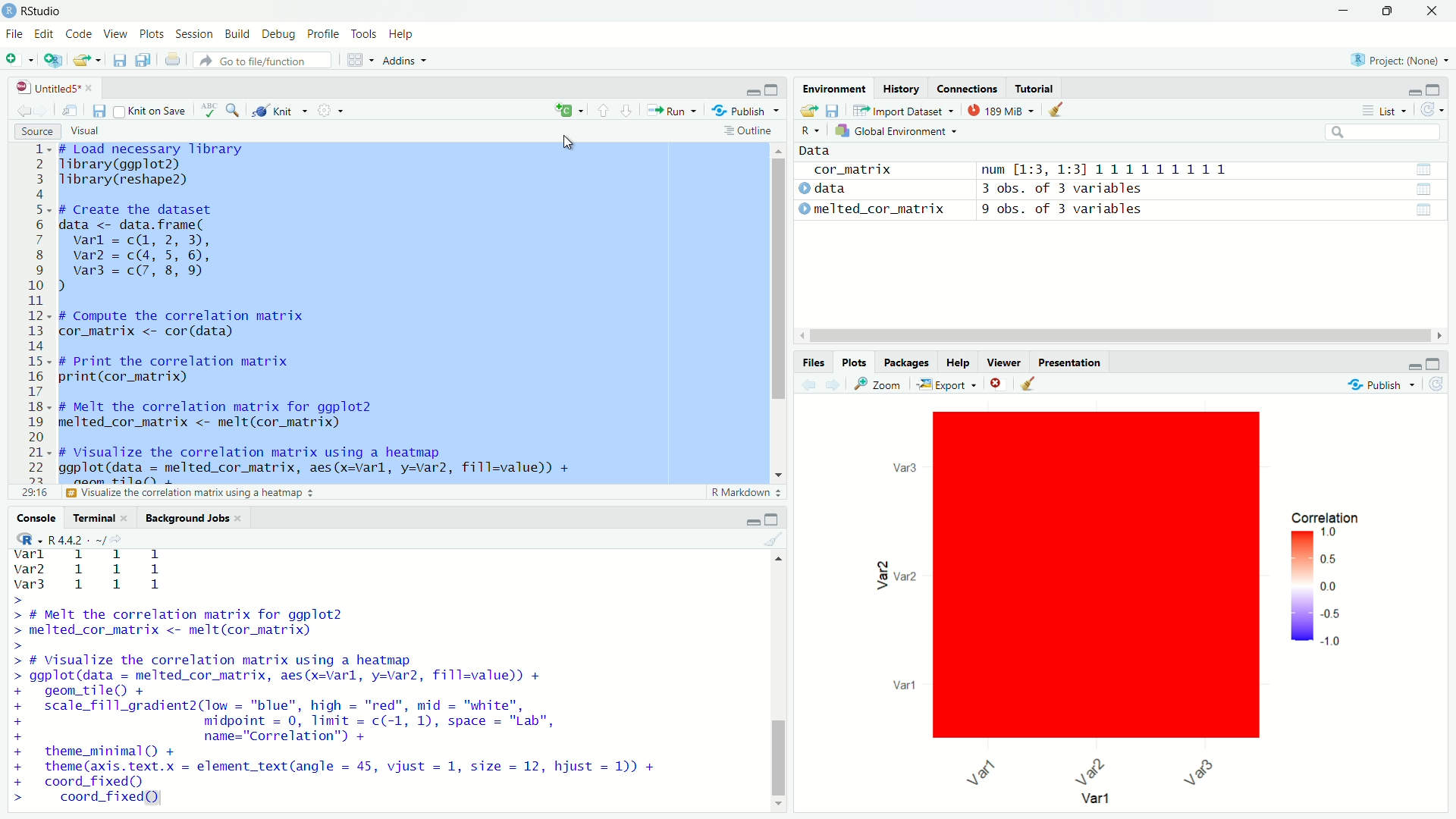 This screenshot has width=1456, height=819. What do you see at coordinates (173, 60) in the screenshot?
I see `print current document` at bounding box center [173, 60].